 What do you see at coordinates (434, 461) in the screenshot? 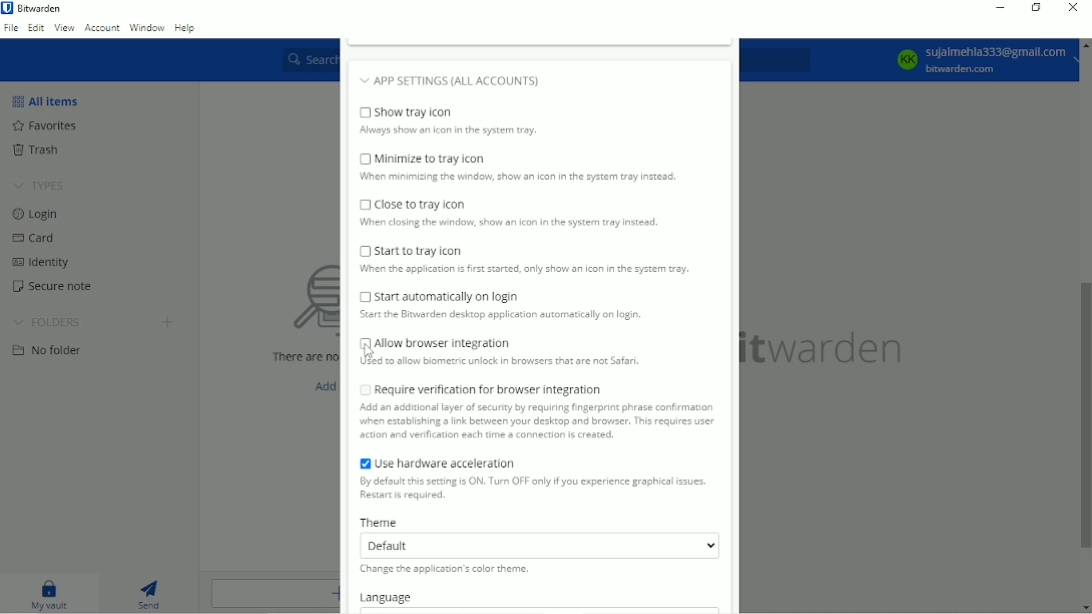
I see `Use hardware acceleration` at bounding box center [434, 461].